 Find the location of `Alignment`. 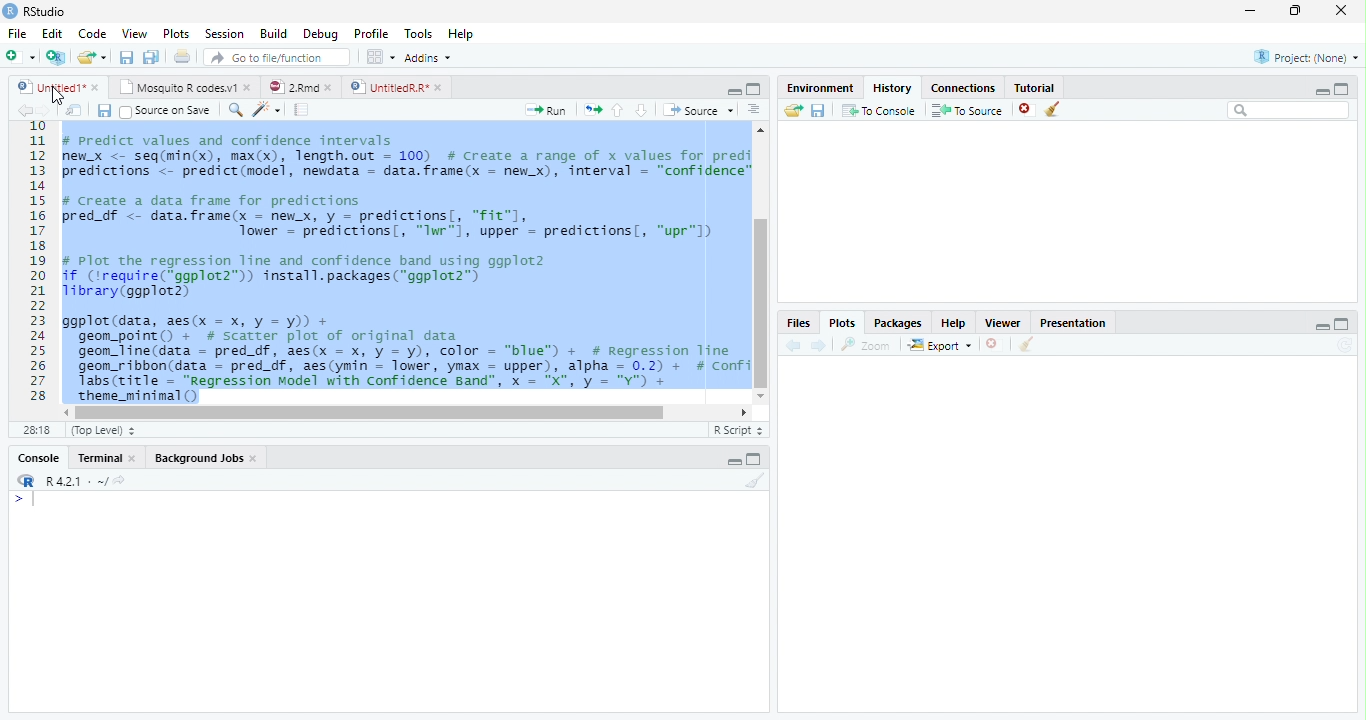

Alignment is located at coordinates (753, 110).